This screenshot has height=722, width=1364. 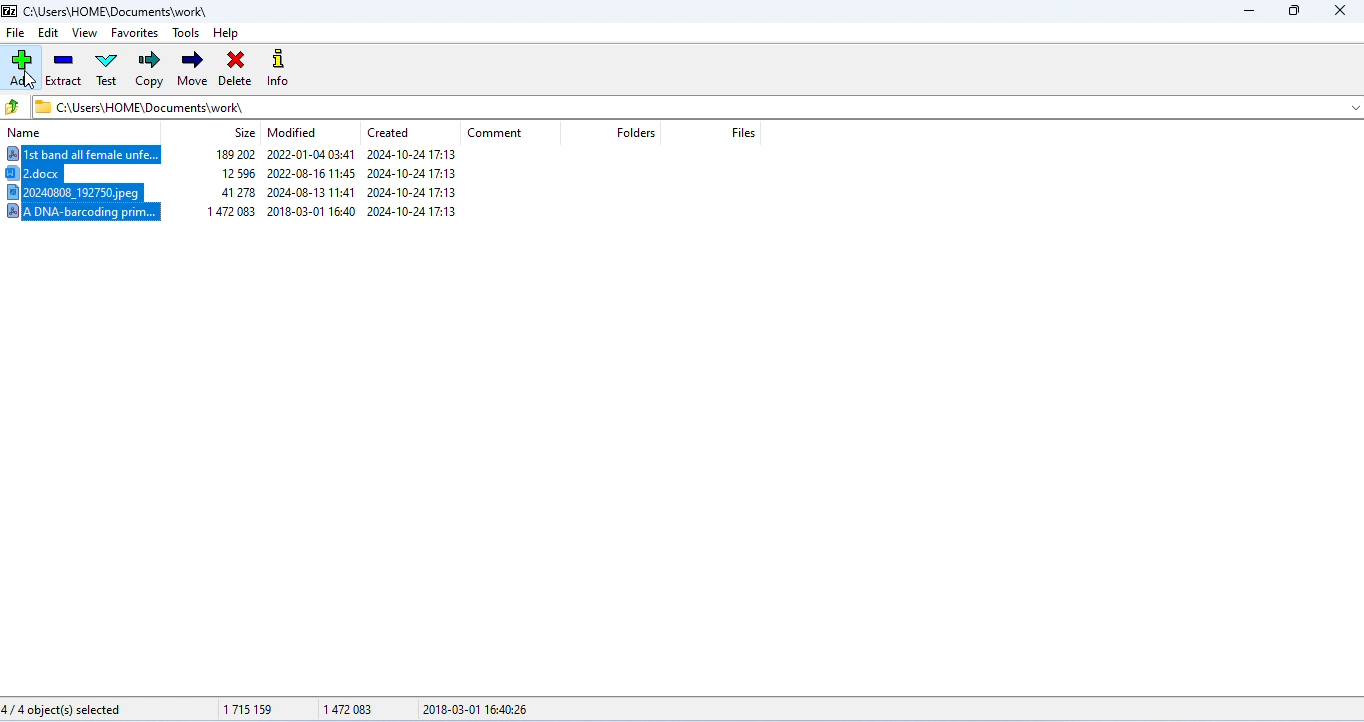 I want to click on 1715159, so click(x=249, y=709).